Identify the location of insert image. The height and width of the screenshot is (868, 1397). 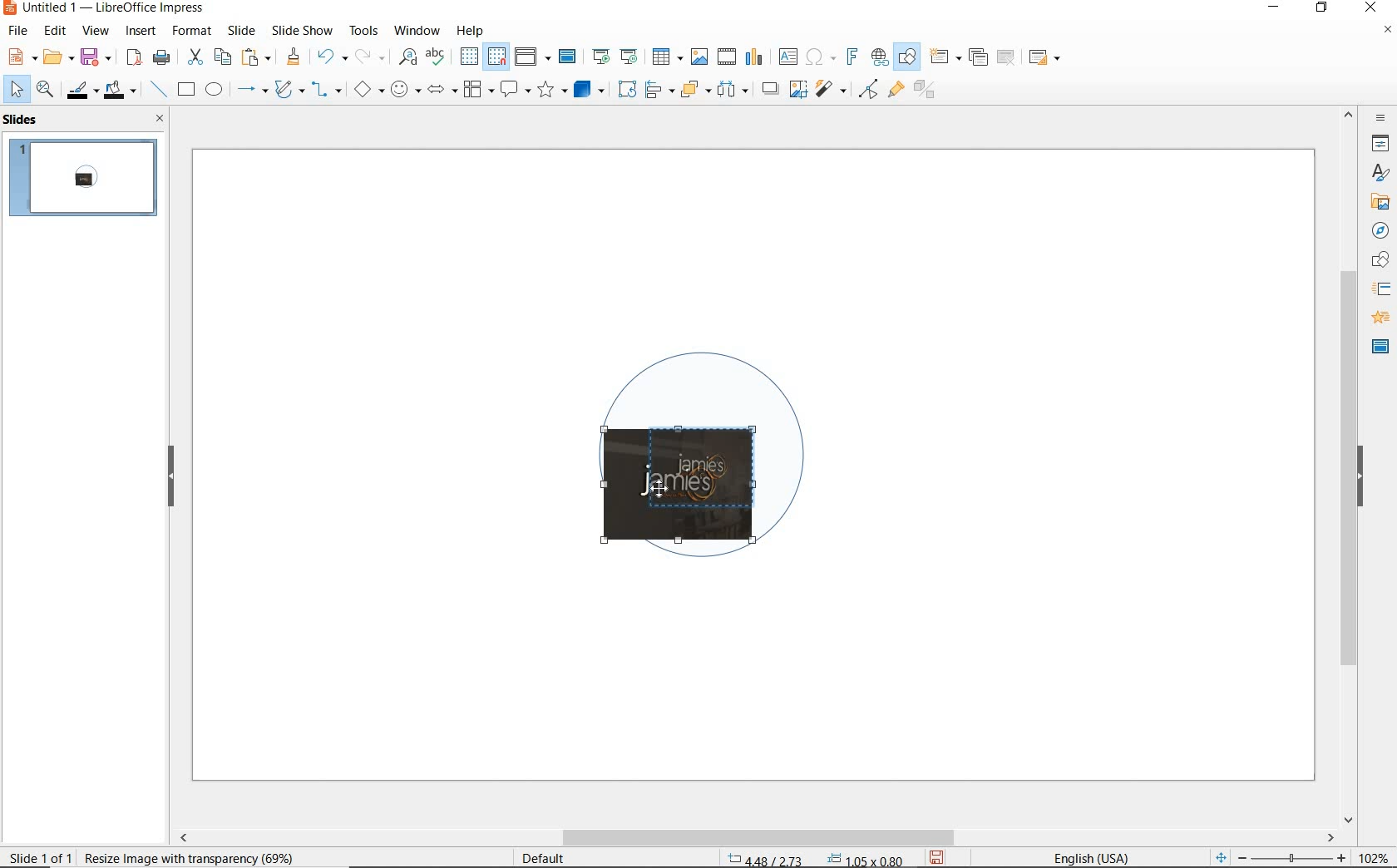
(698, 57).